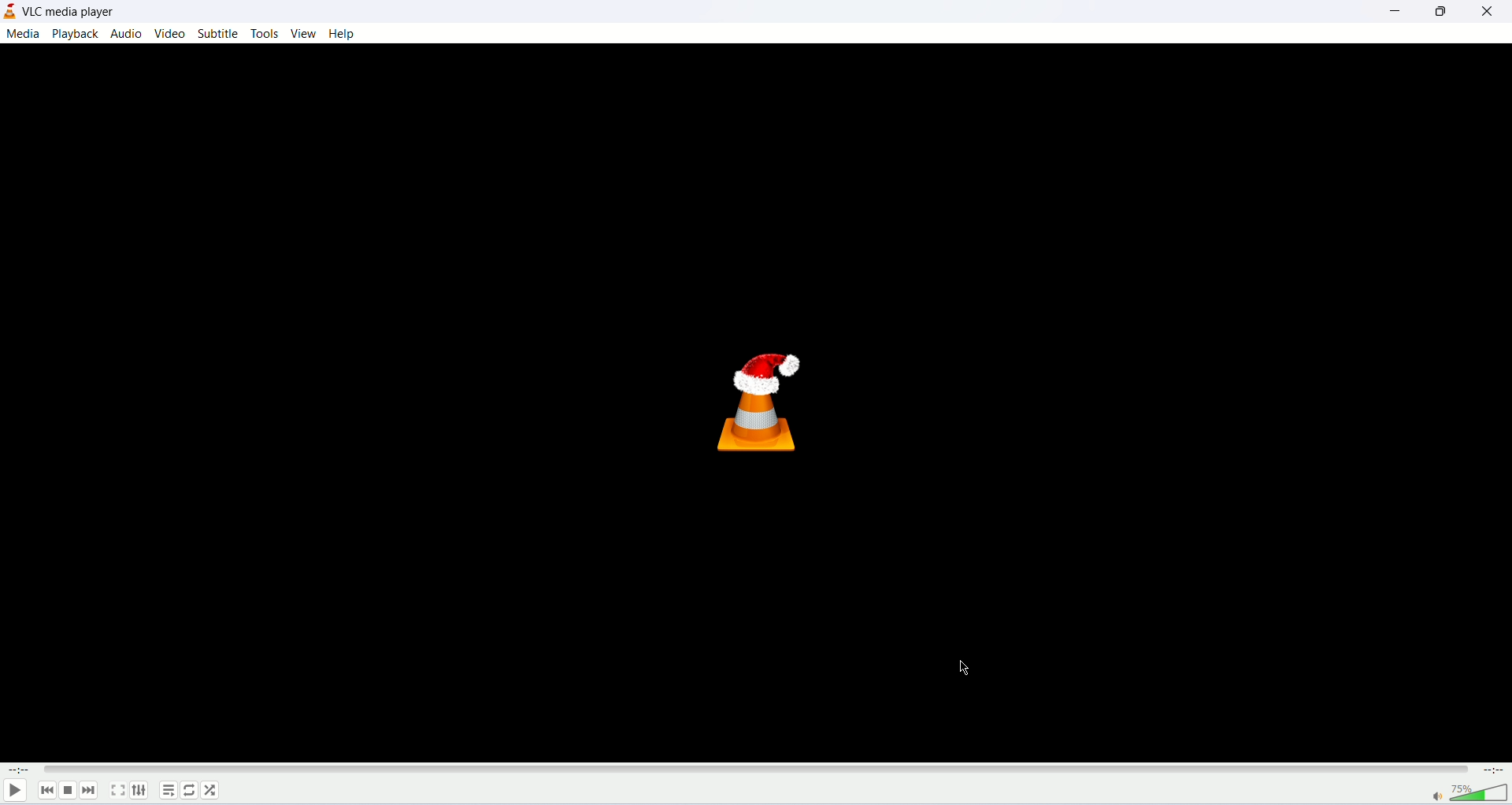 The image size is (1512, 805). What do you see at coordinates (45, 791) in the screenshot?
I see `previous` at bounding box center [45, 791].